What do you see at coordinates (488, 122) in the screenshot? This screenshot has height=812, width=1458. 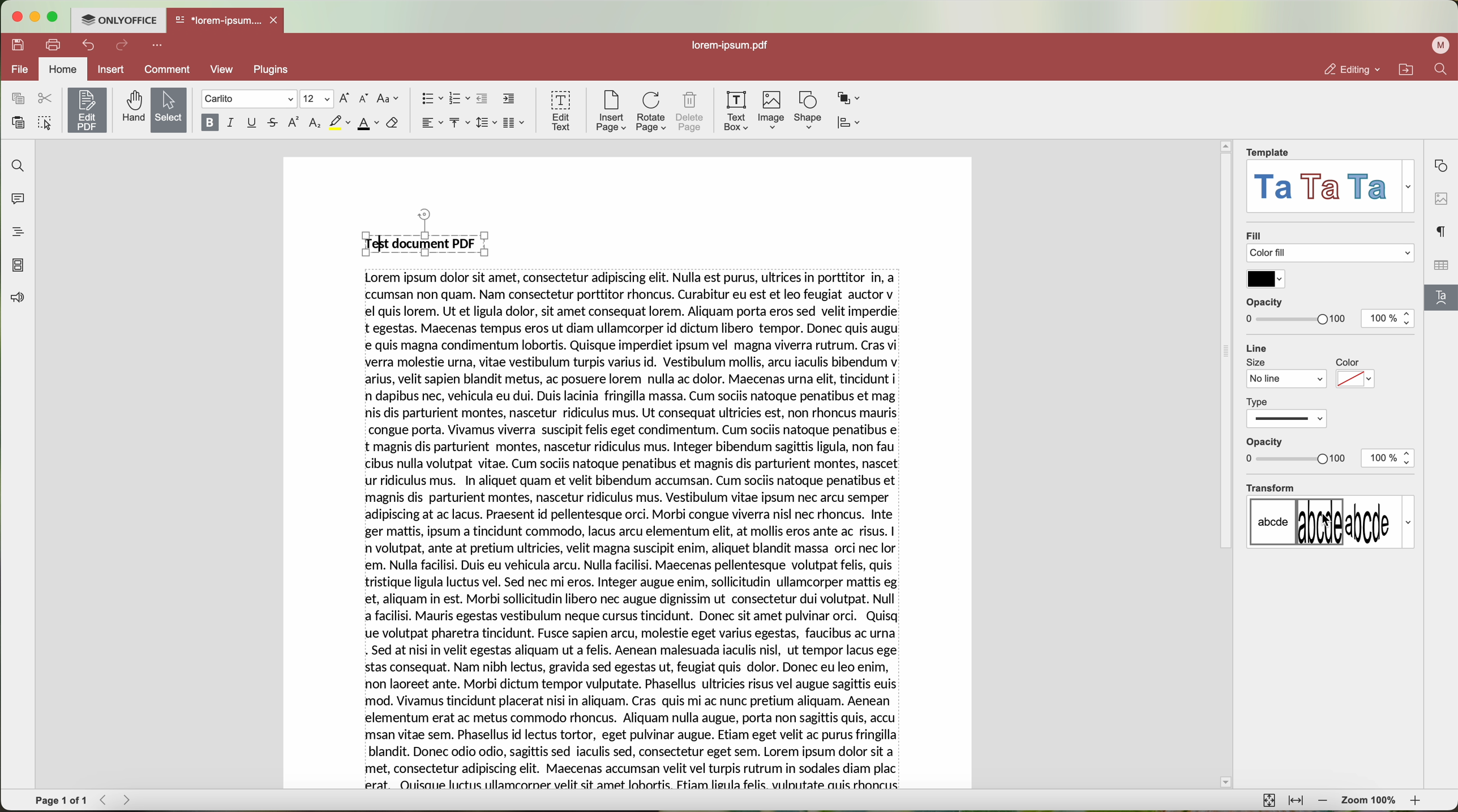 I see `line spacing` at bounding box center [488, 122].